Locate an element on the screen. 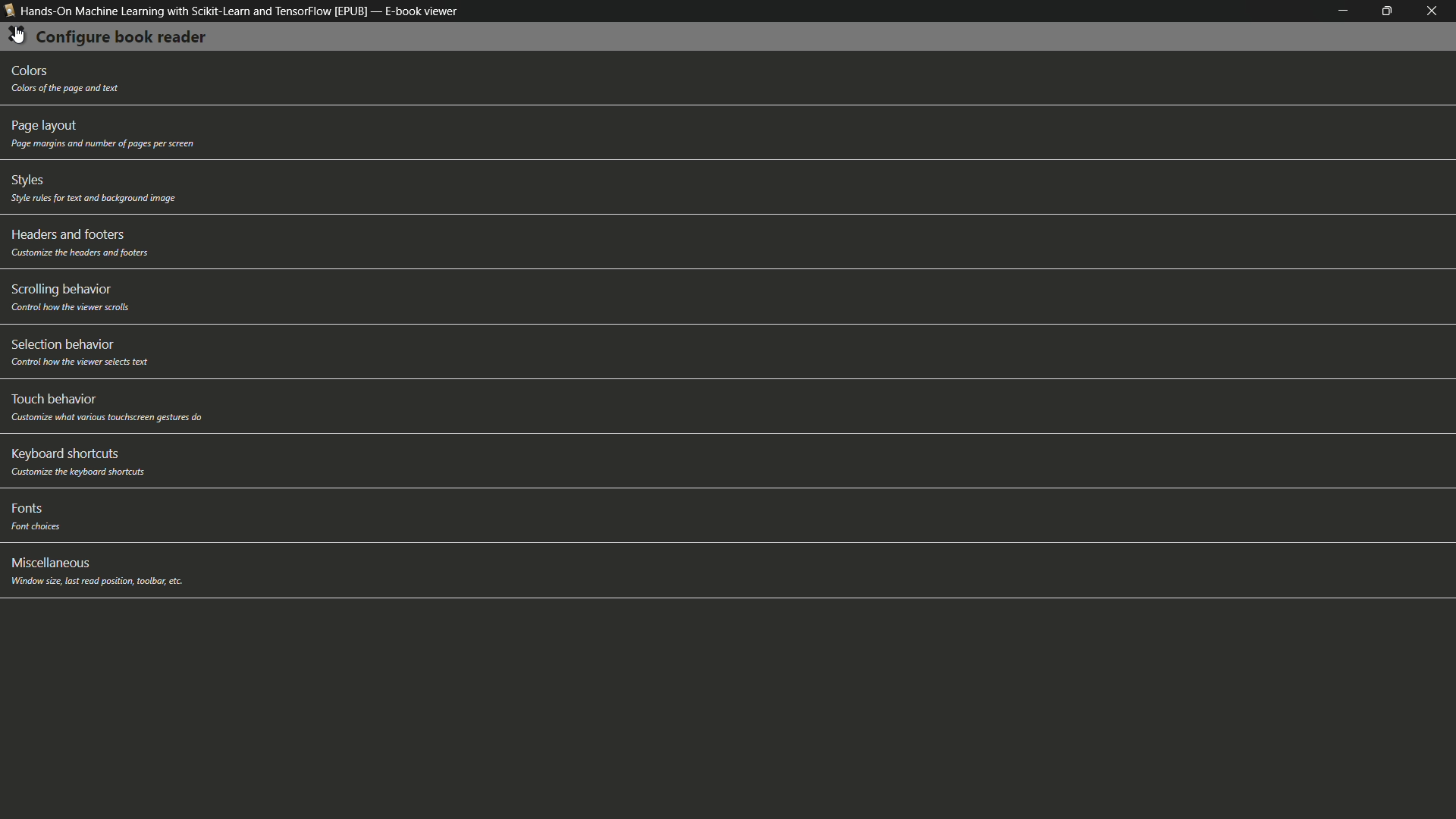 This screenshot has height=819, width=1456. text is located at coordinates (101, 145).